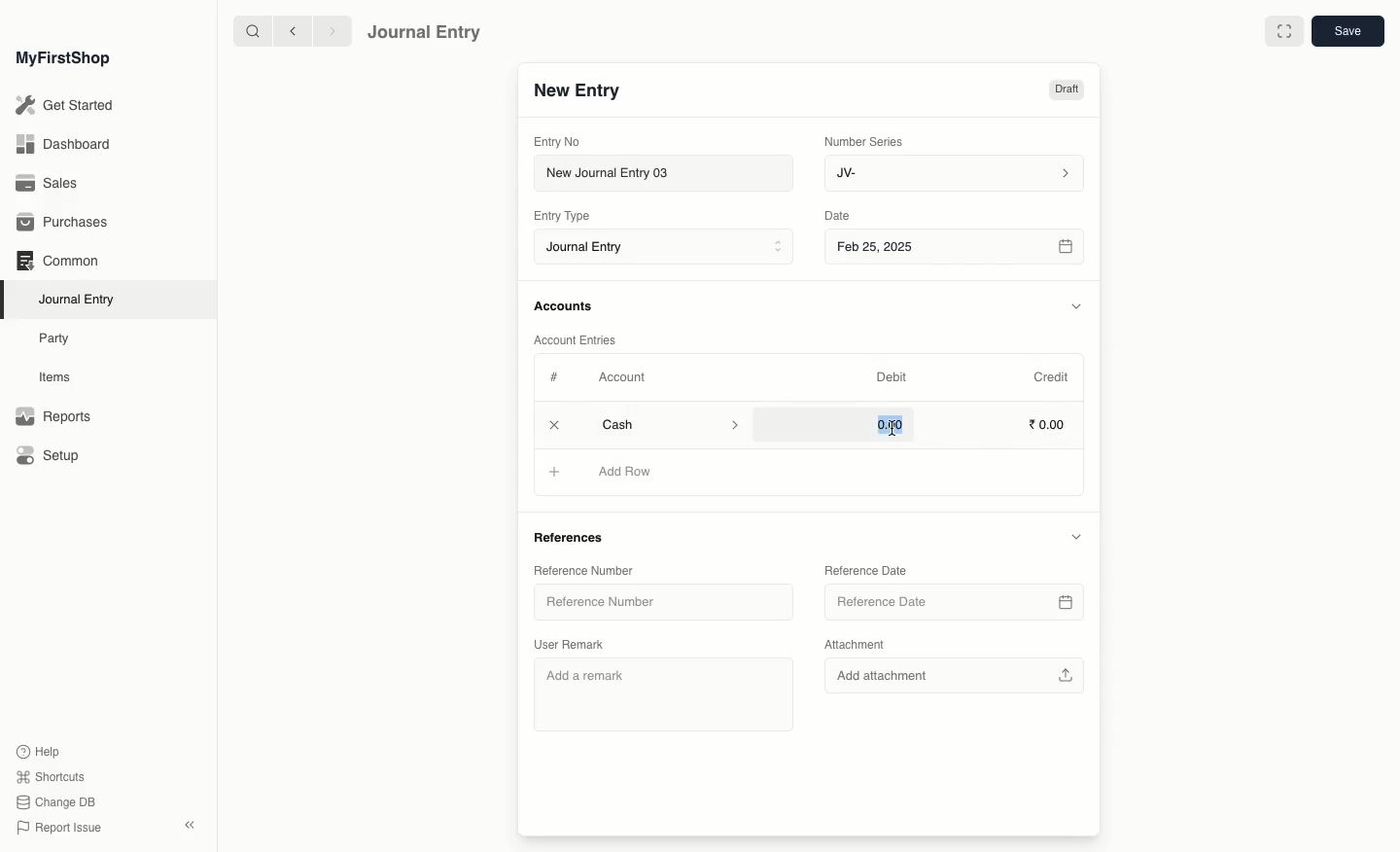  Describe the element at coordinates (669, 248) in the screenshot. I see `Journal Entry` at that location.